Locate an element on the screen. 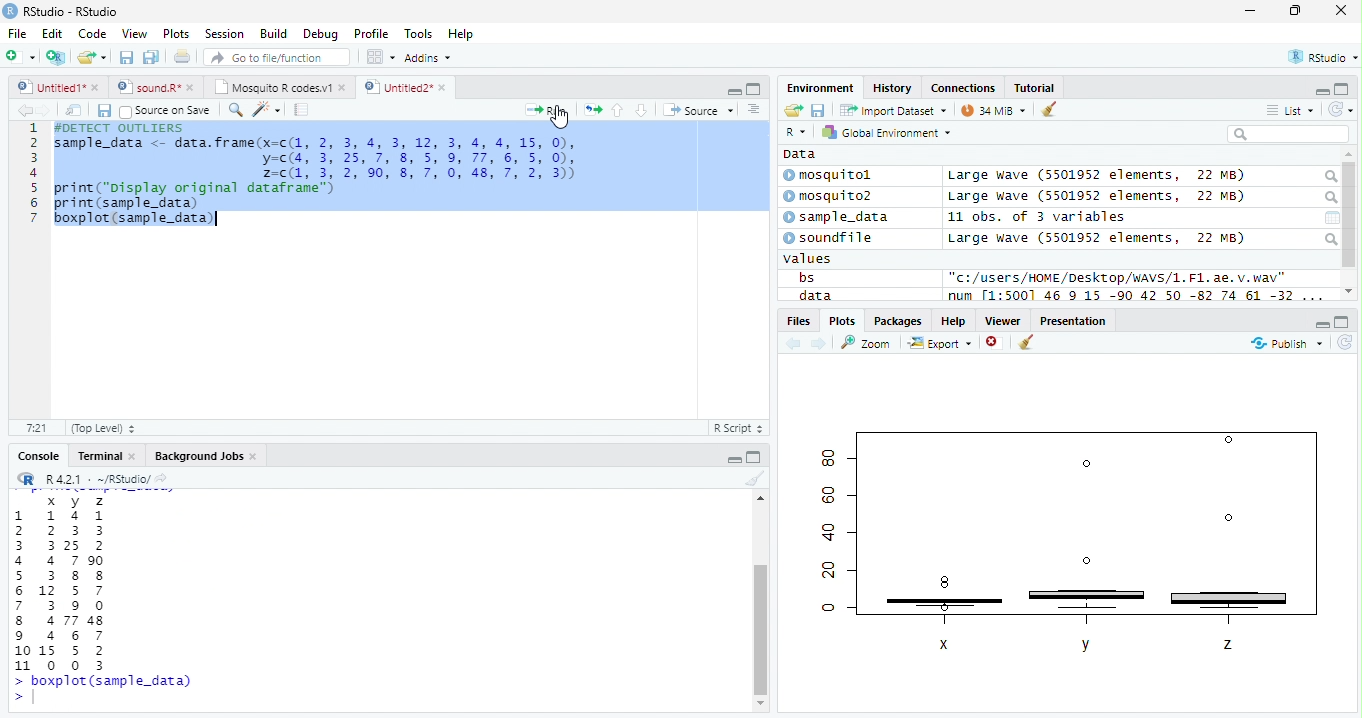  scroll bar is located at coordinates (1350, 215).